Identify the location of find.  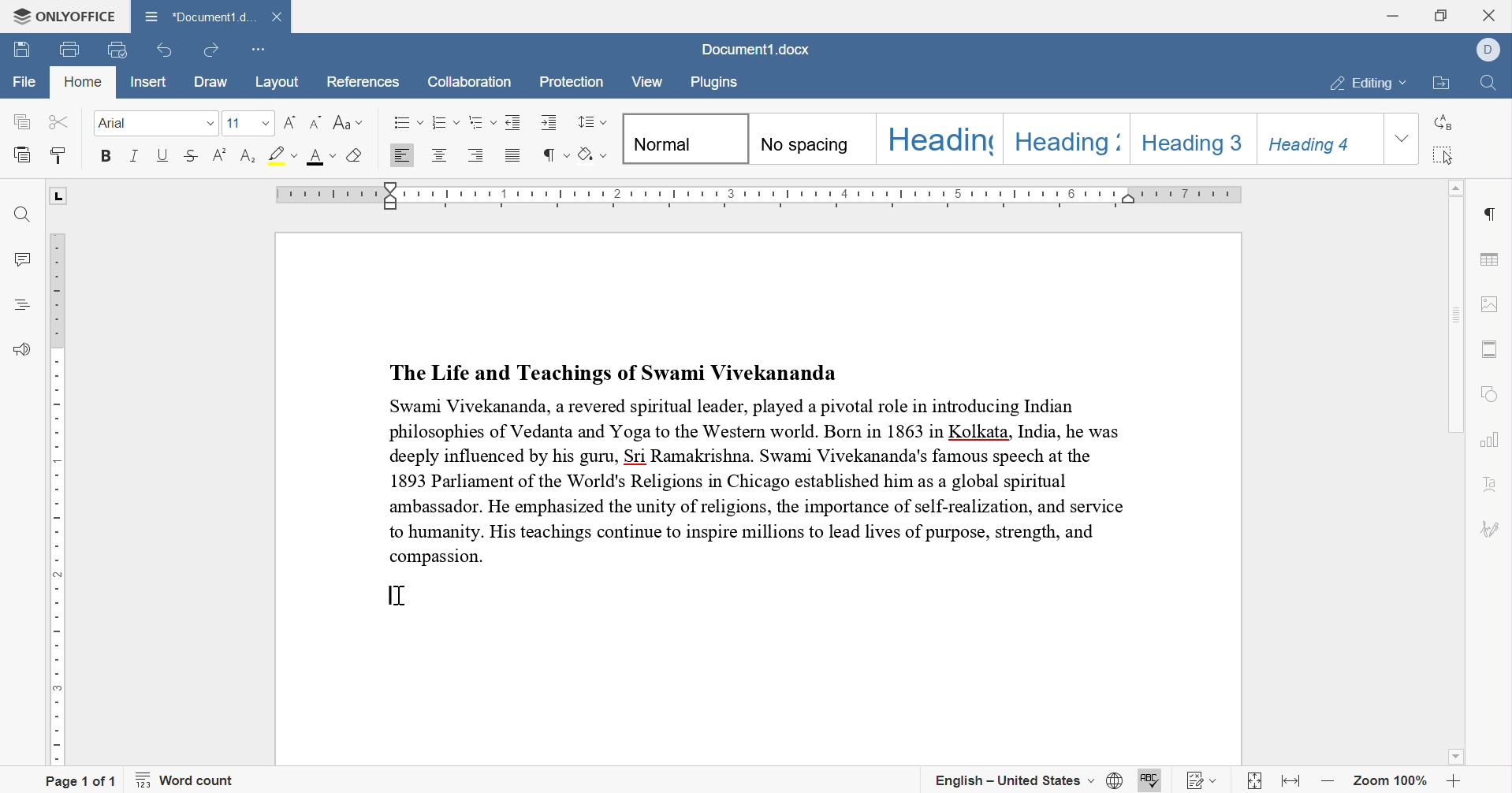
(22, 215).